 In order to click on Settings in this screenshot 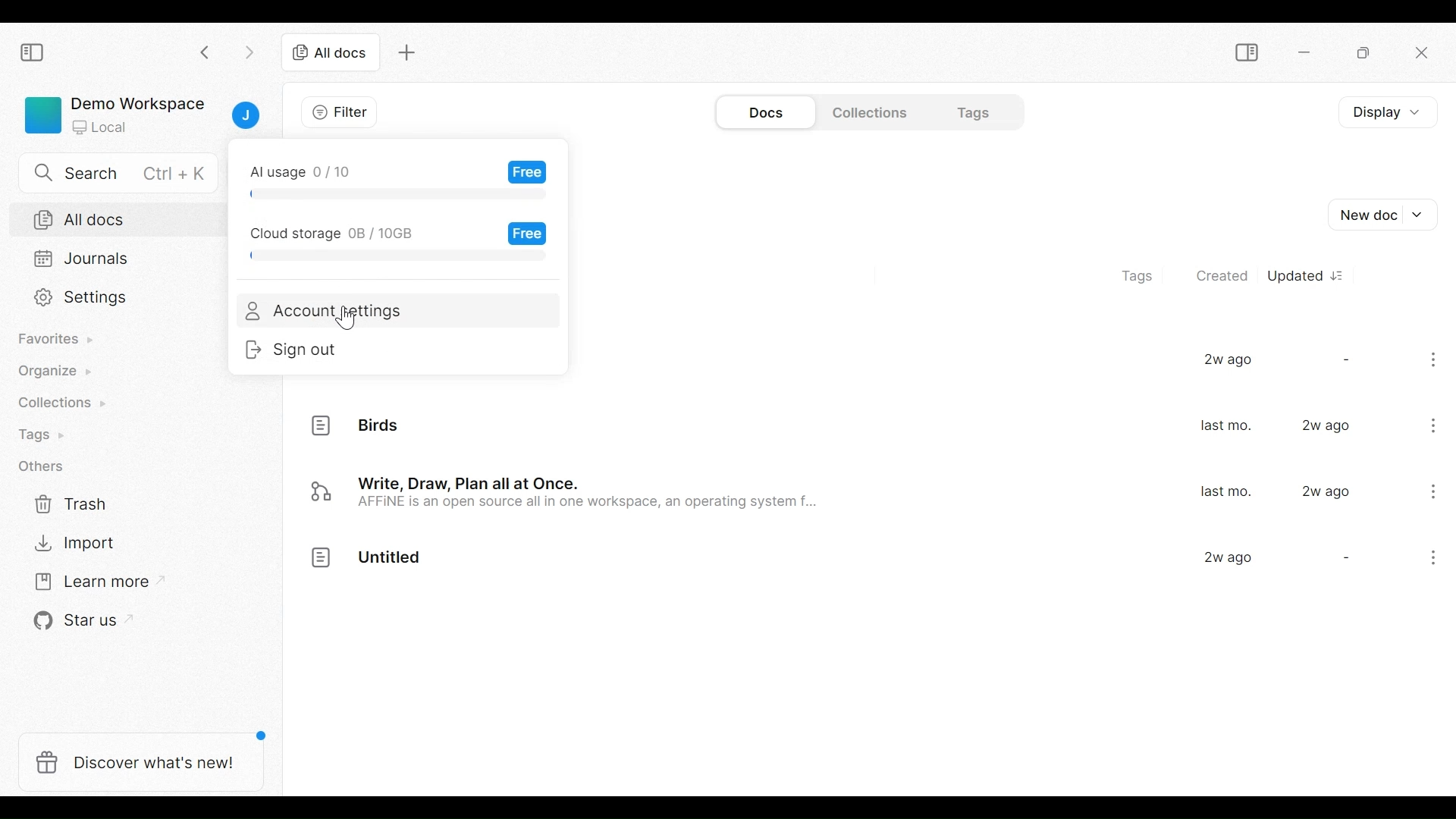, I will do `click(119, 300)`.